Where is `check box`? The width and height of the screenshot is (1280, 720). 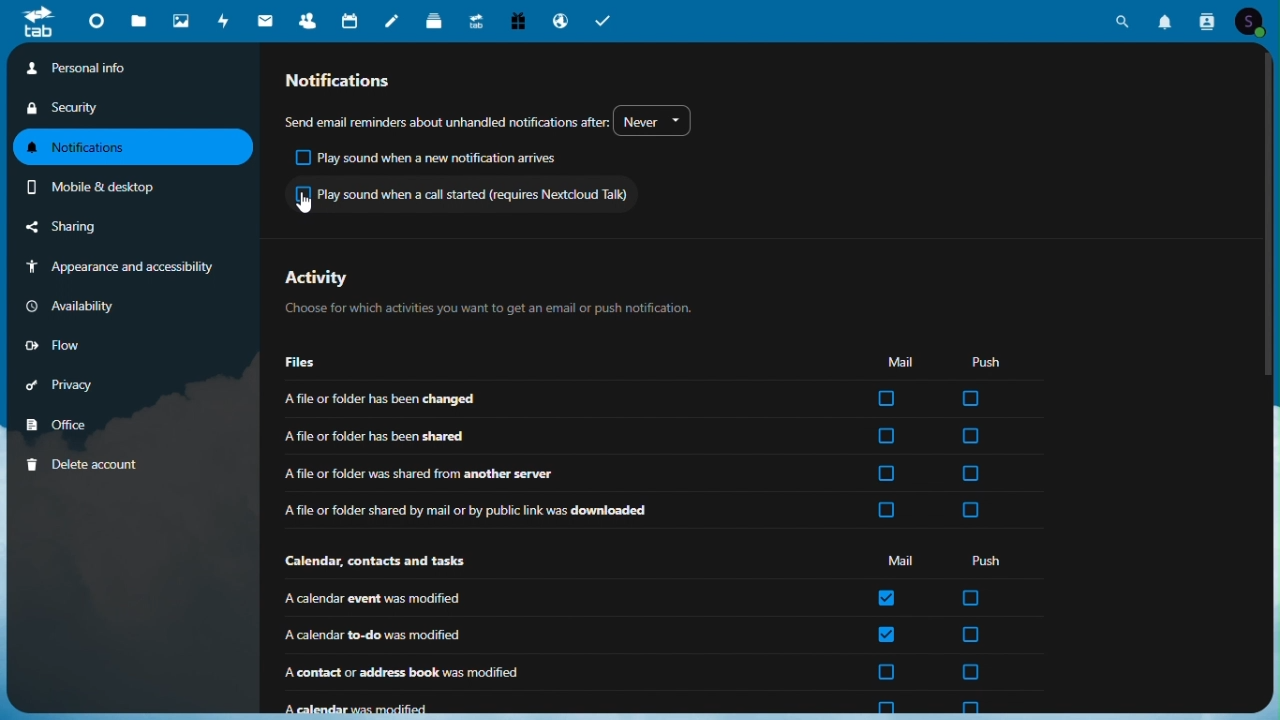 check box is located at coordinates (885, 707).